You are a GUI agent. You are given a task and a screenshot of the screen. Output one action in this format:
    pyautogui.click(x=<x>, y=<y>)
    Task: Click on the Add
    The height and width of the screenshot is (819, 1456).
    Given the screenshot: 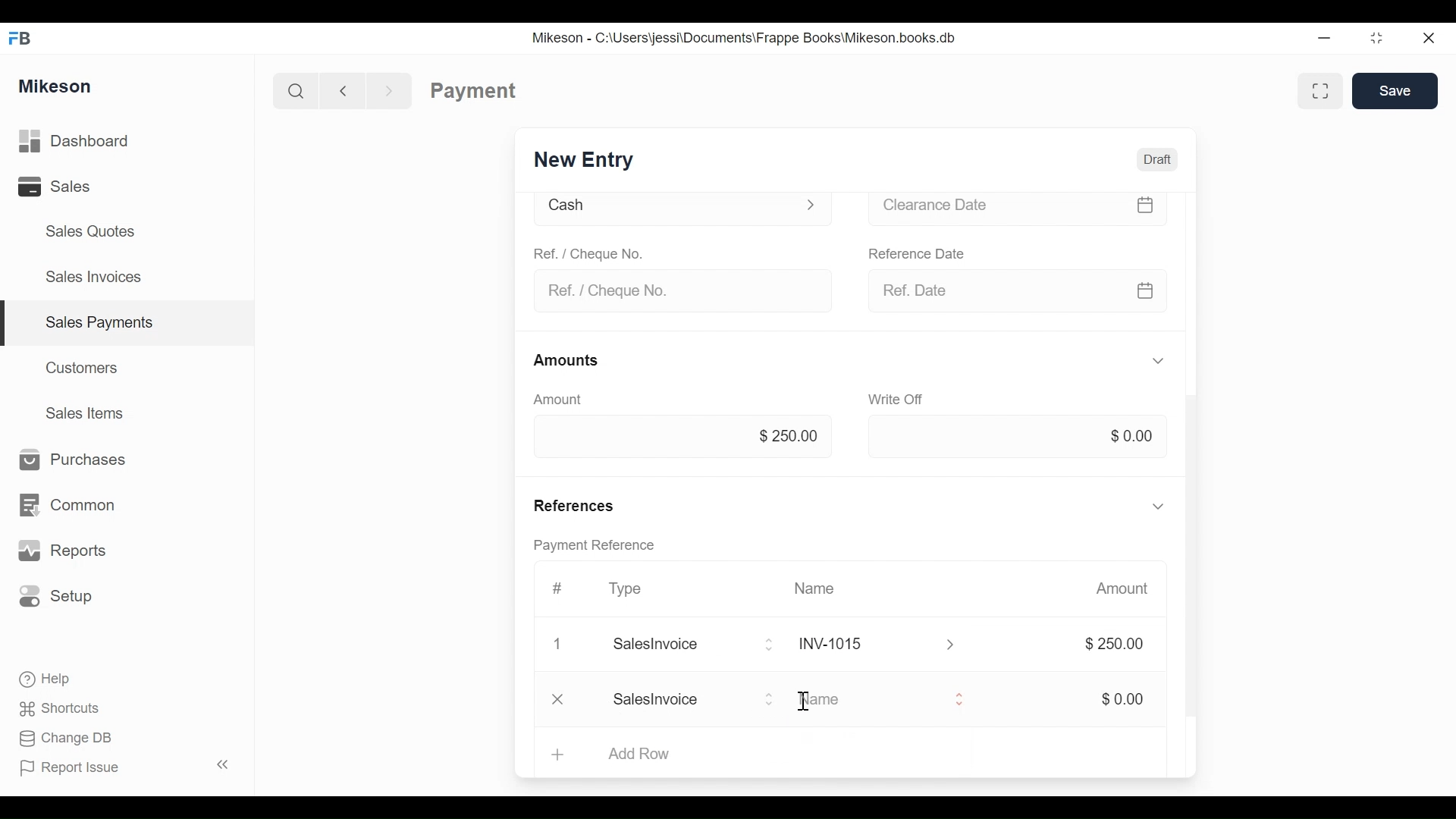 What is the action you would take?
    pyautogui.click(x=562, y=758)
    